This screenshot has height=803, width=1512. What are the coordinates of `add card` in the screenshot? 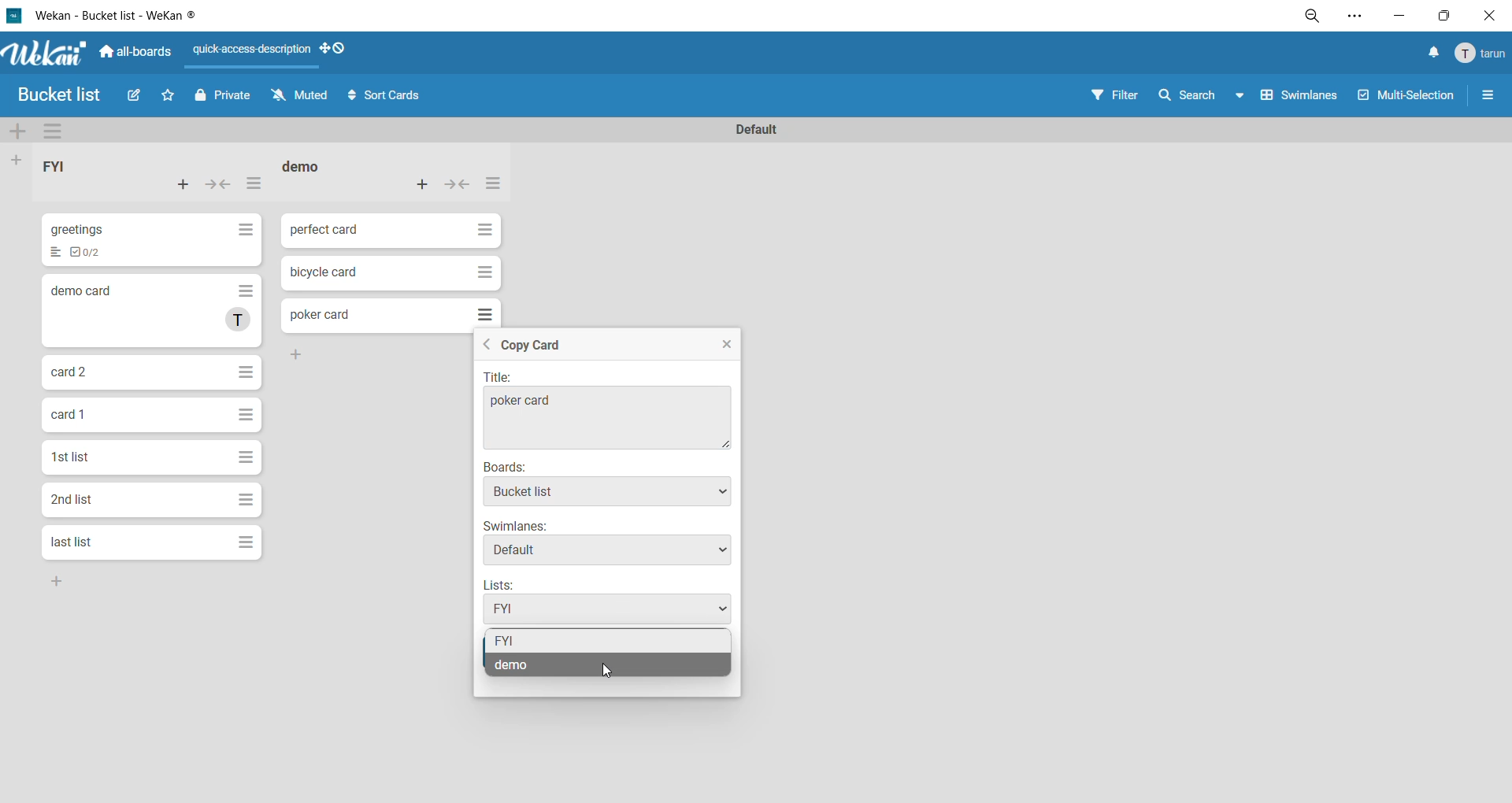 It's located at (183, 187).